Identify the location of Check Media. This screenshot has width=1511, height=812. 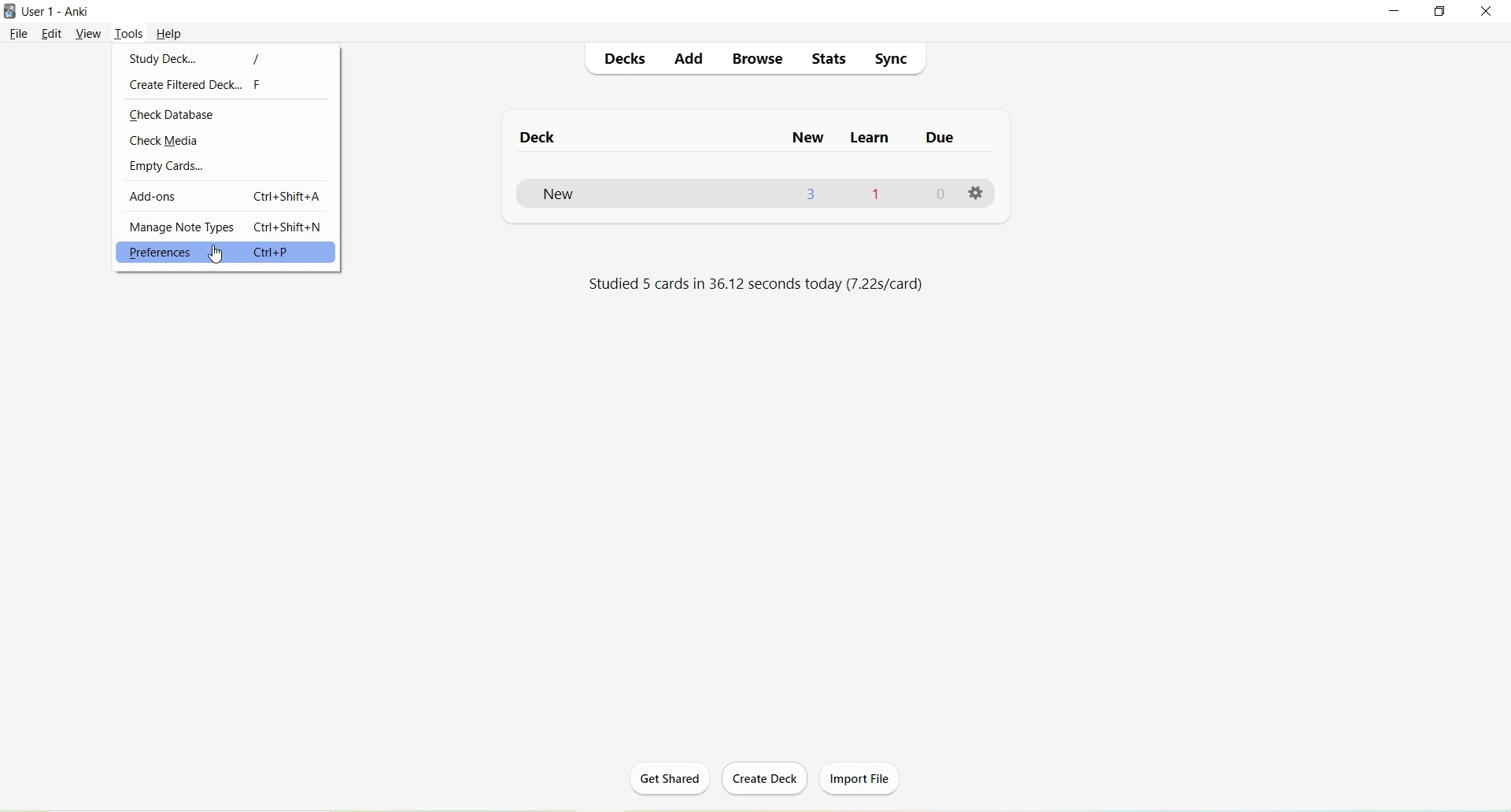
(165, 142).